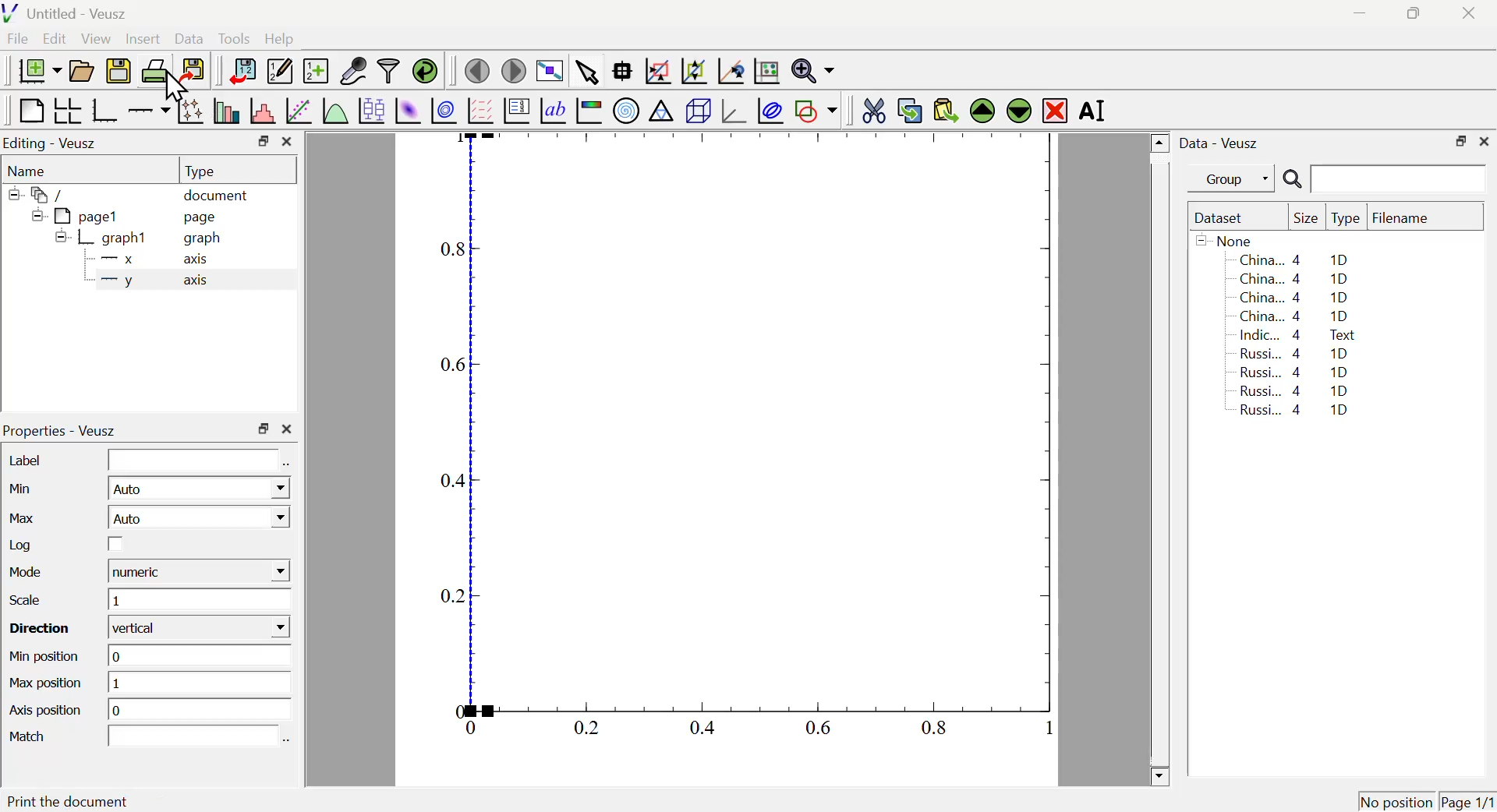 This screenshot has height=812, width=1497. Describe the element at coordinates (200, 684) in the screenshot. I see `1` at that location.